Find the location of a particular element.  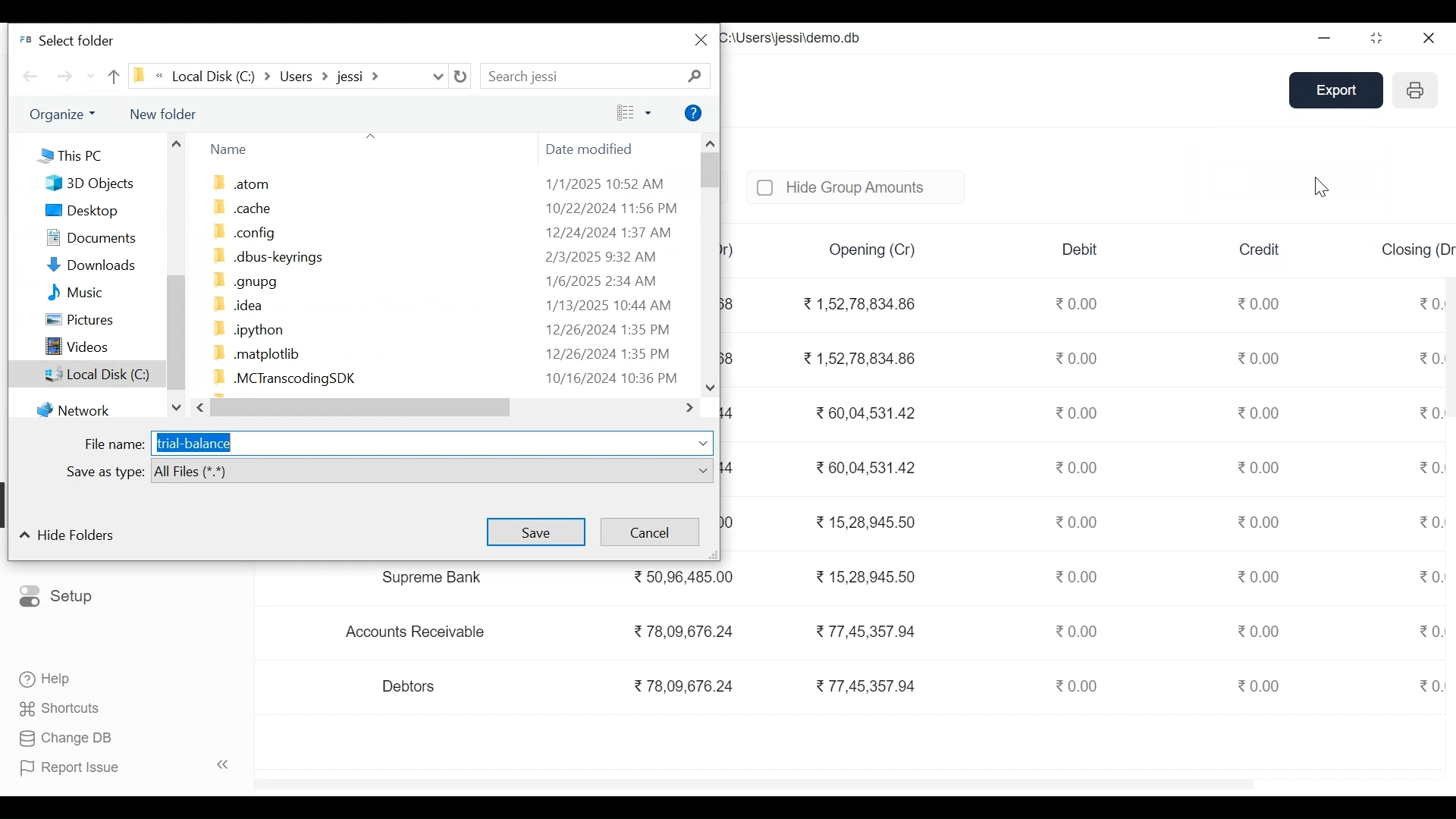

78,09,676.24 is located at coordinates (682, 629).